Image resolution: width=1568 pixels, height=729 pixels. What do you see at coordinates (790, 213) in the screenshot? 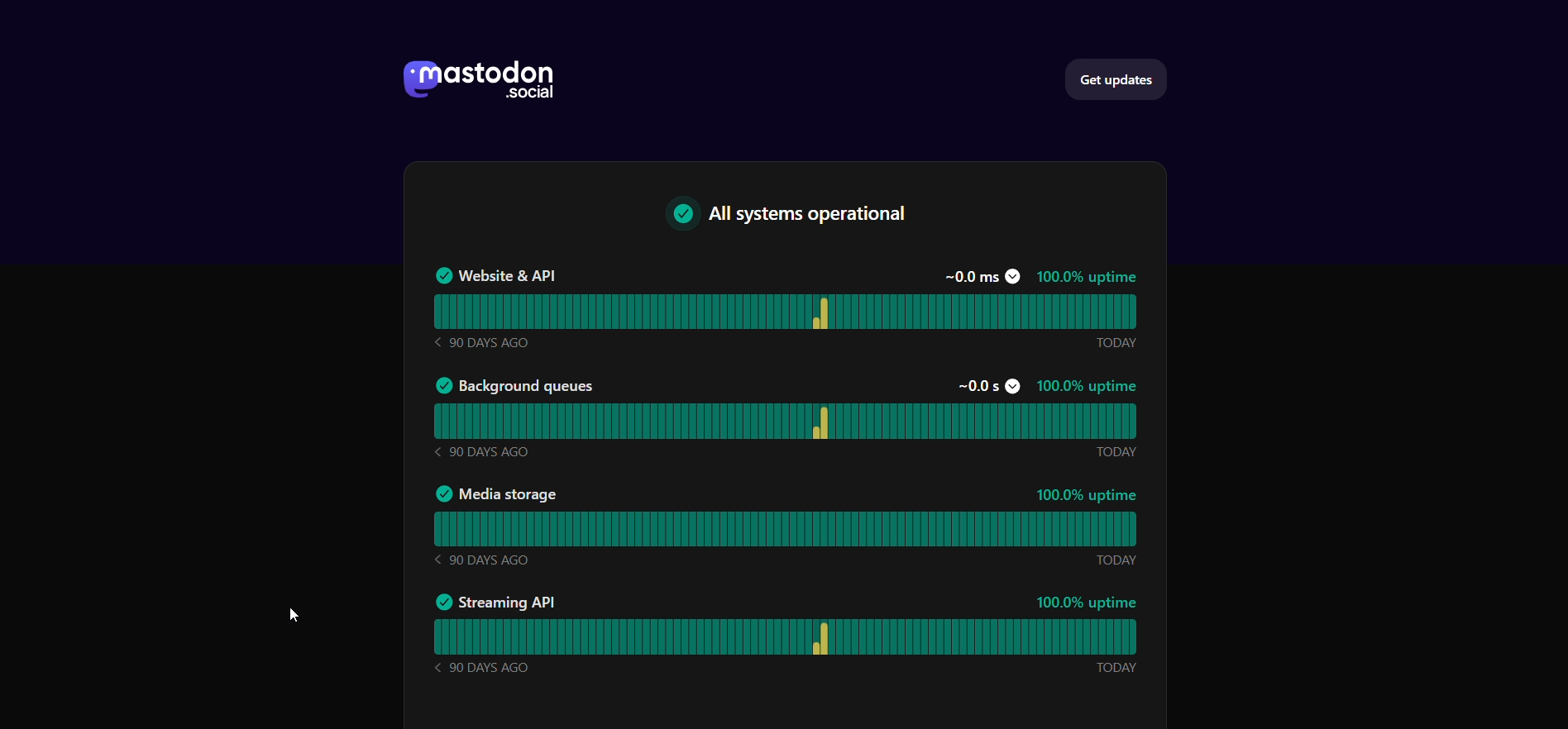
I see `all system operational` at bounding box center [790, 213].